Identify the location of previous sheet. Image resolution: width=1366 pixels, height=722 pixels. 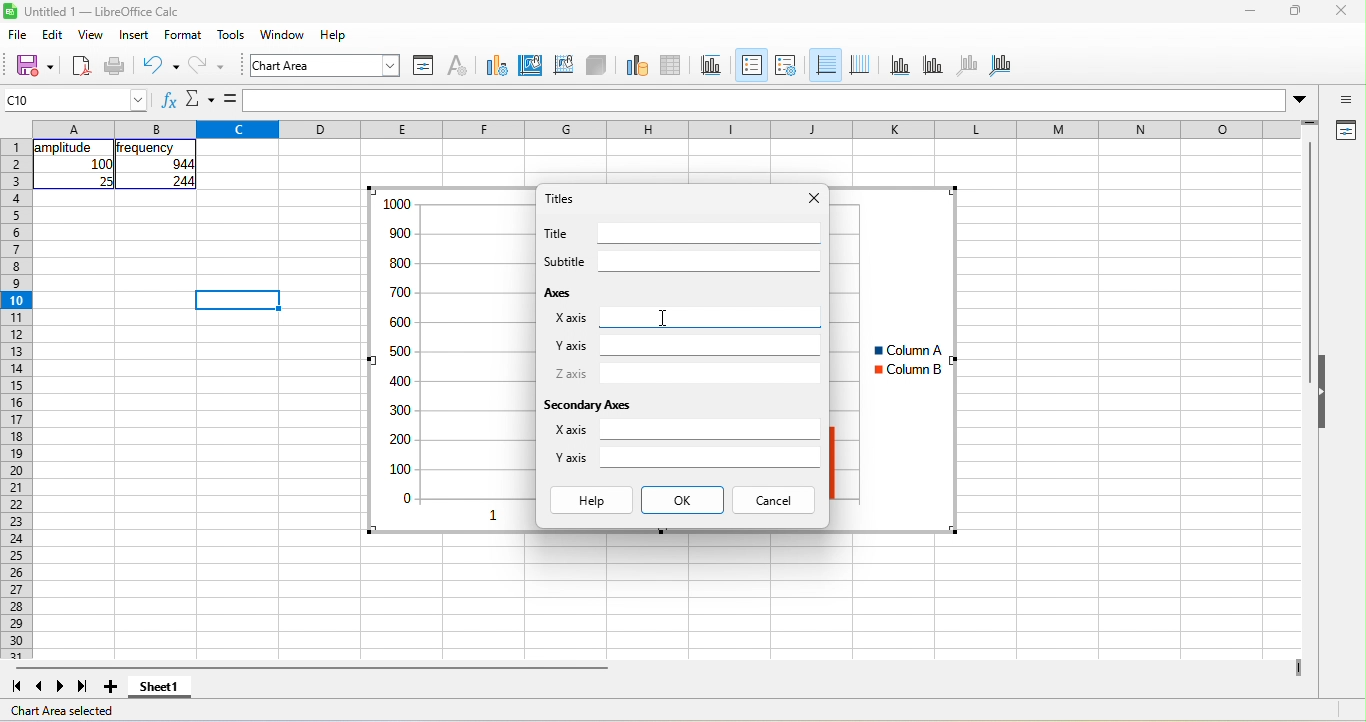
(40, 687).